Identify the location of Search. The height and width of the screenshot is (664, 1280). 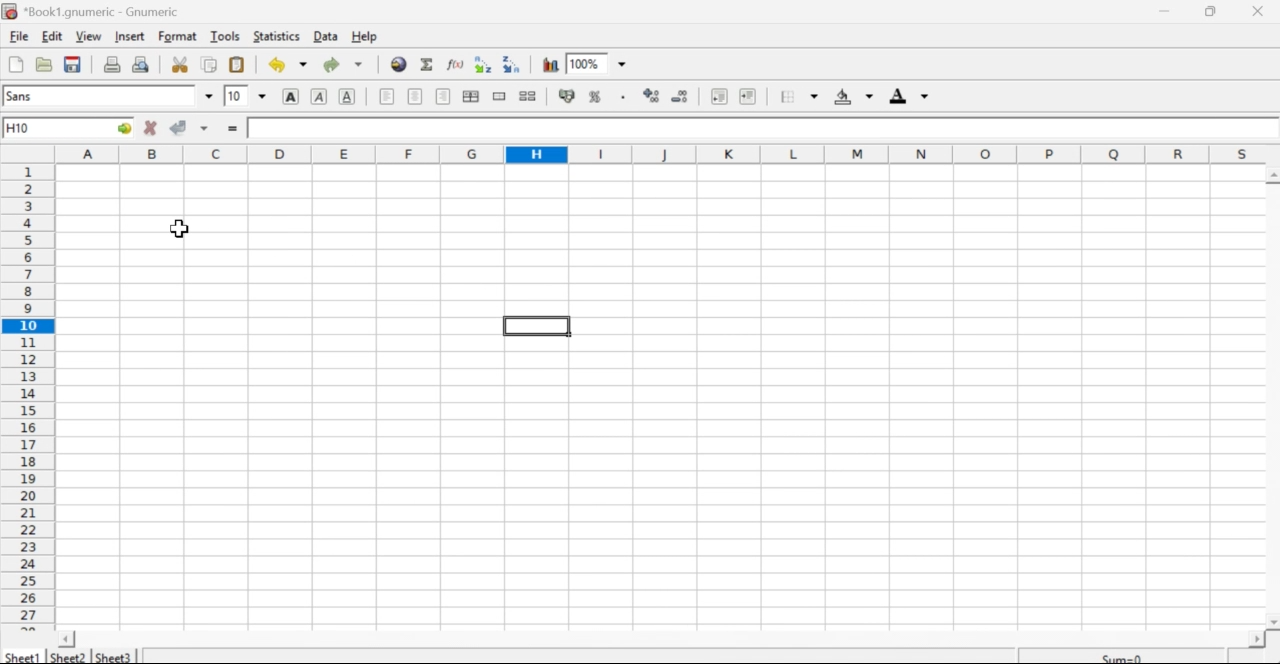
(398, 63).